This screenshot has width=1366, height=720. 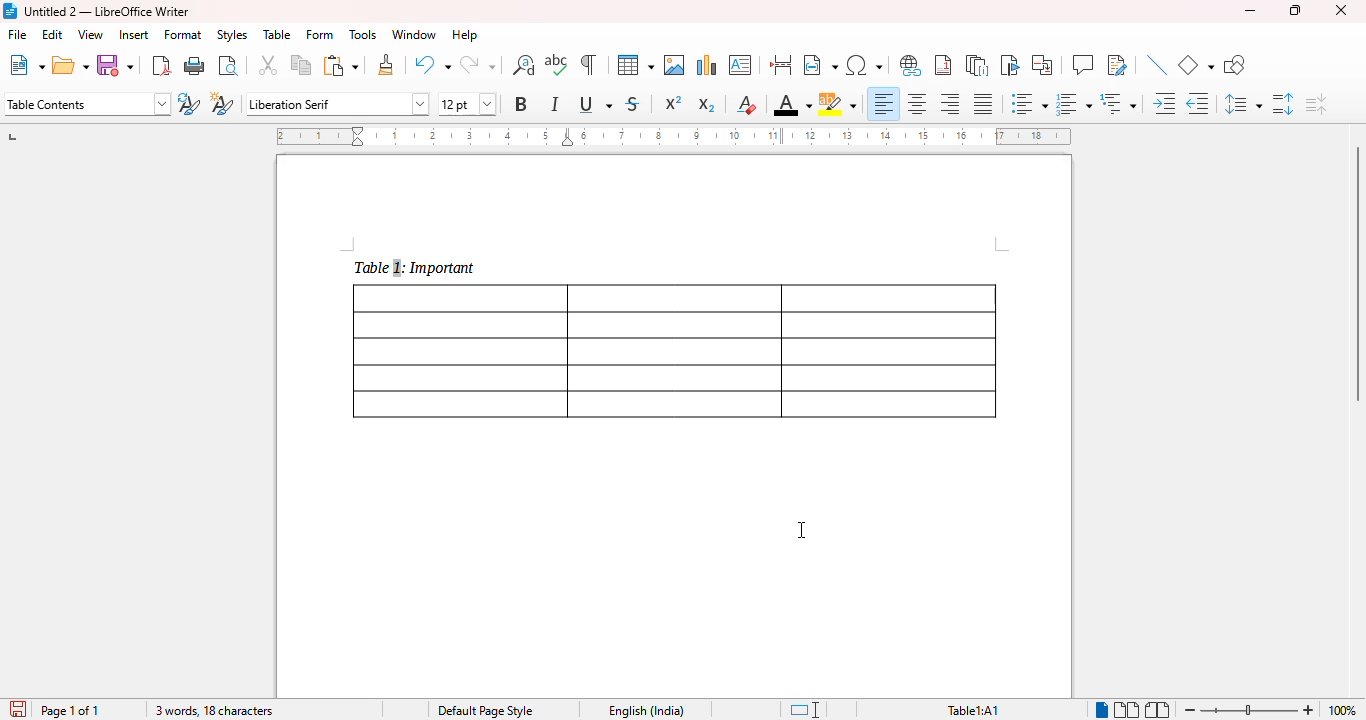 What do you see at coordinates (1295, 10) in the screenshot?
I see `maximize` at bounding box center [1295, 10].